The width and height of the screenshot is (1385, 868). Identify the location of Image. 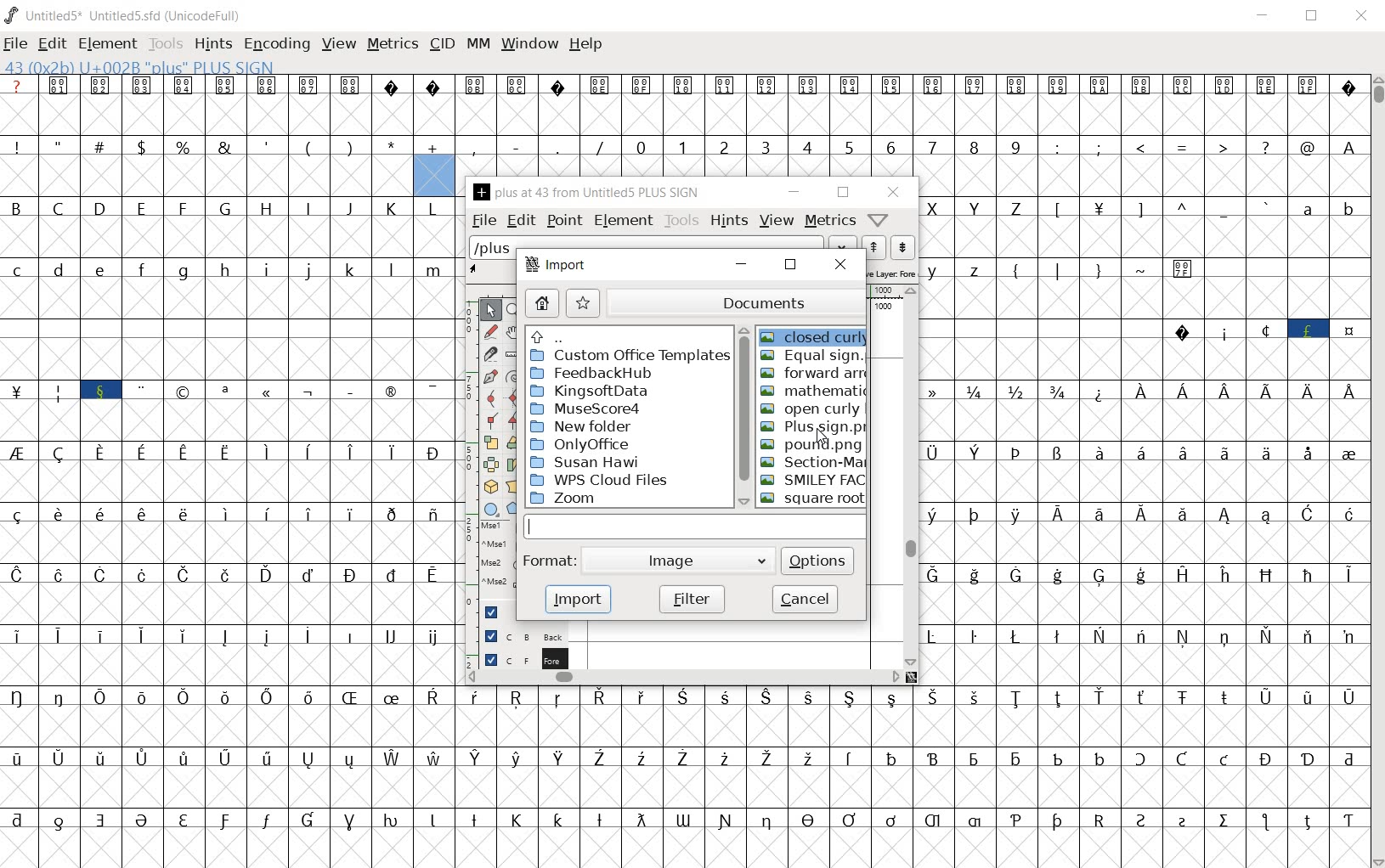
(693, 560).